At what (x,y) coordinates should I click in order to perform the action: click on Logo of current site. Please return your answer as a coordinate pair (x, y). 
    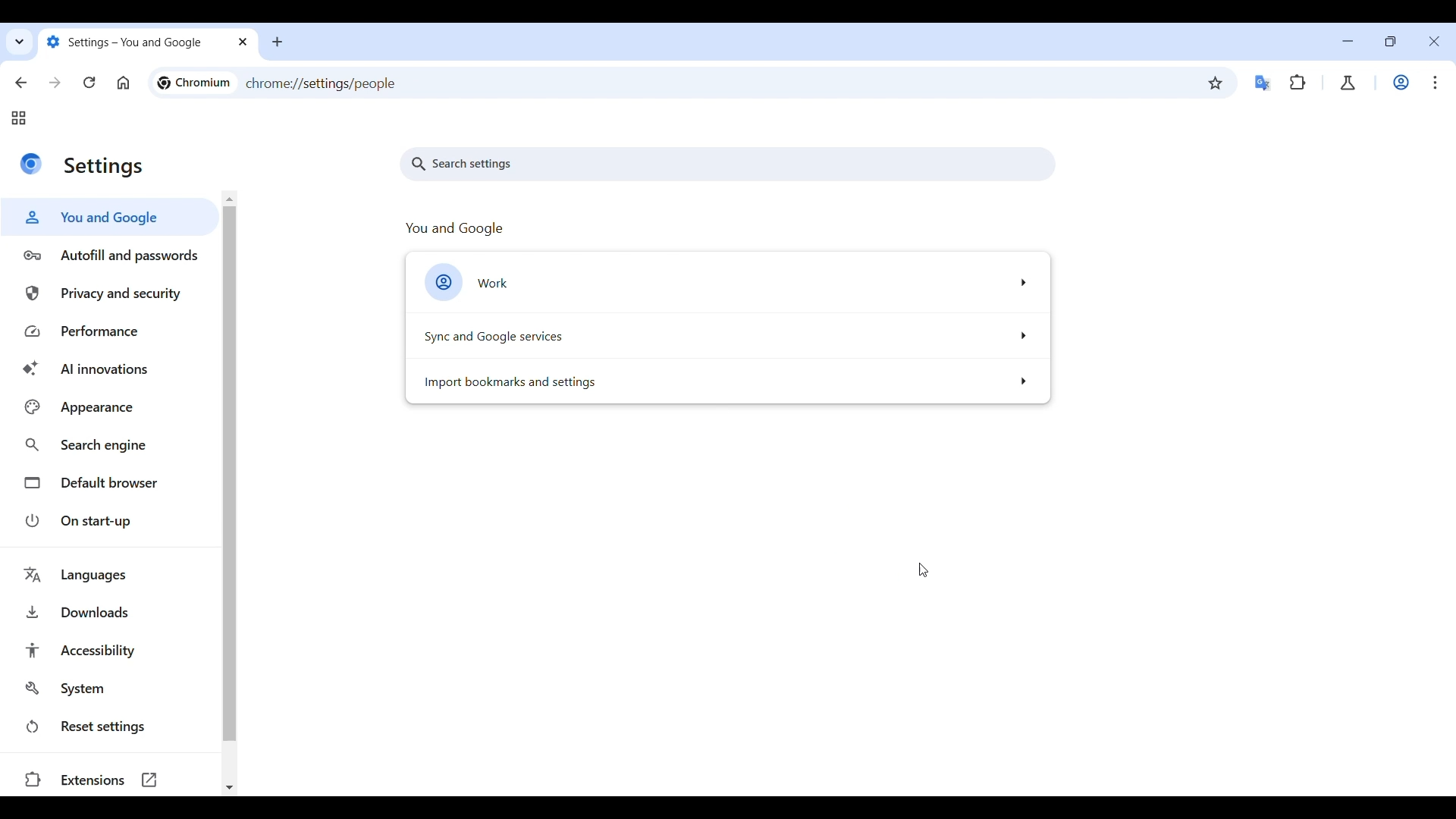
    Looking at the image, I should click on (31, 163).